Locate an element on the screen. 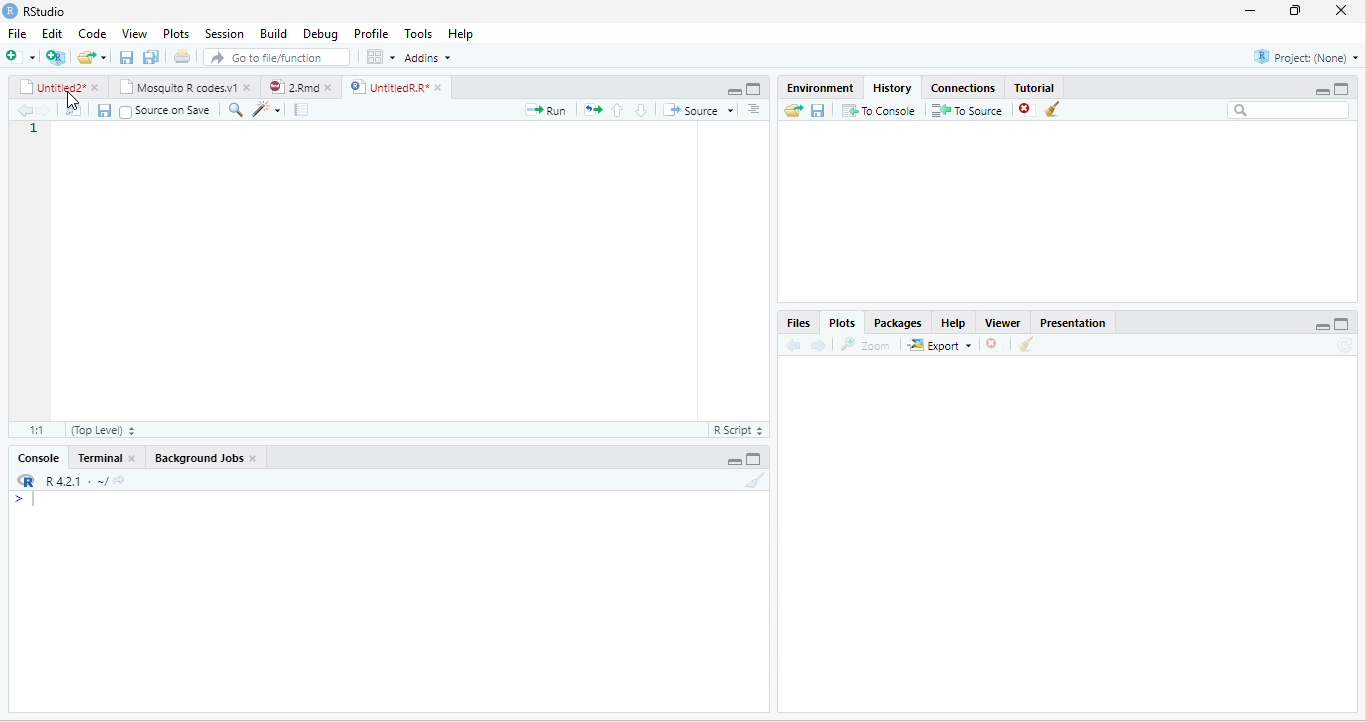 The height and width of the screenshot is (722, 1366). environment  is located at coordinates (812, 86).